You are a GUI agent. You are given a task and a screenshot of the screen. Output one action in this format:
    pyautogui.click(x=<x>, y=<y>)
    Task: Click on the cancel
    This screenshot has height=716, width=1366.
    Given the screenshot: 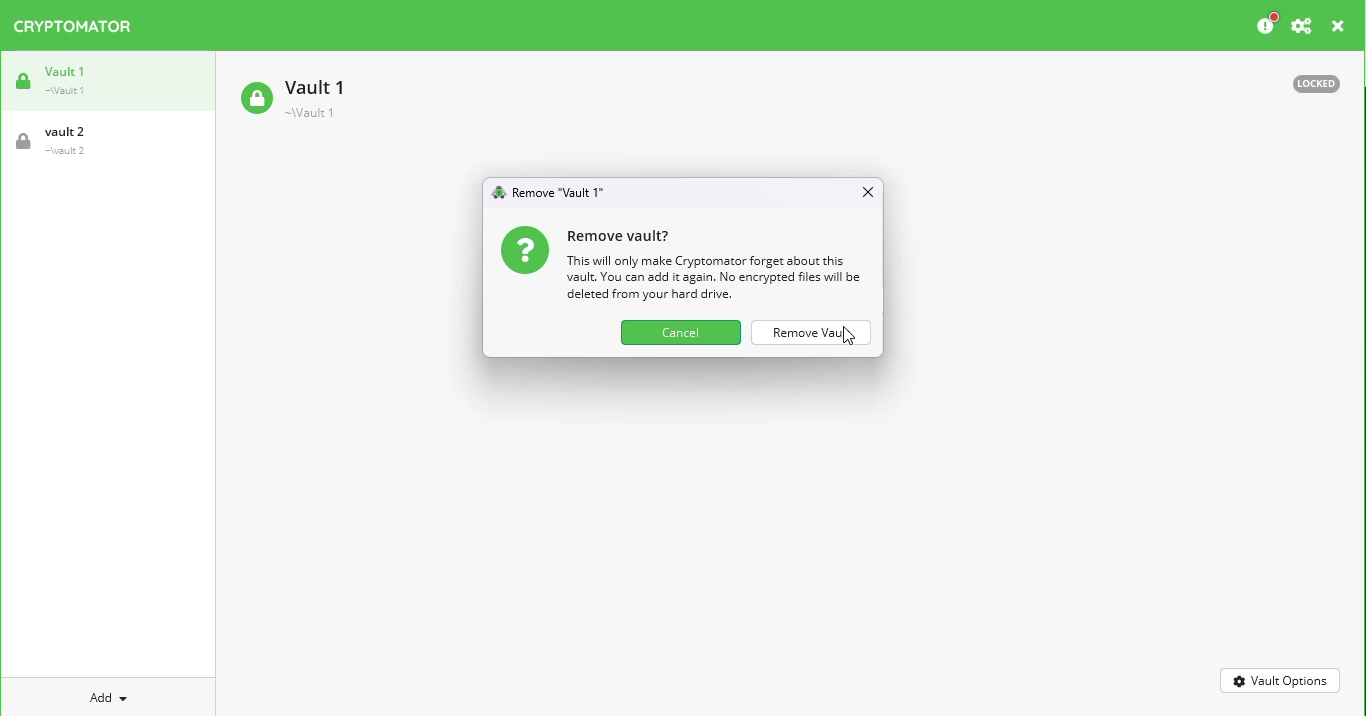 What is the action you would take?
    pyautogui.click(x=681, y=333)
    